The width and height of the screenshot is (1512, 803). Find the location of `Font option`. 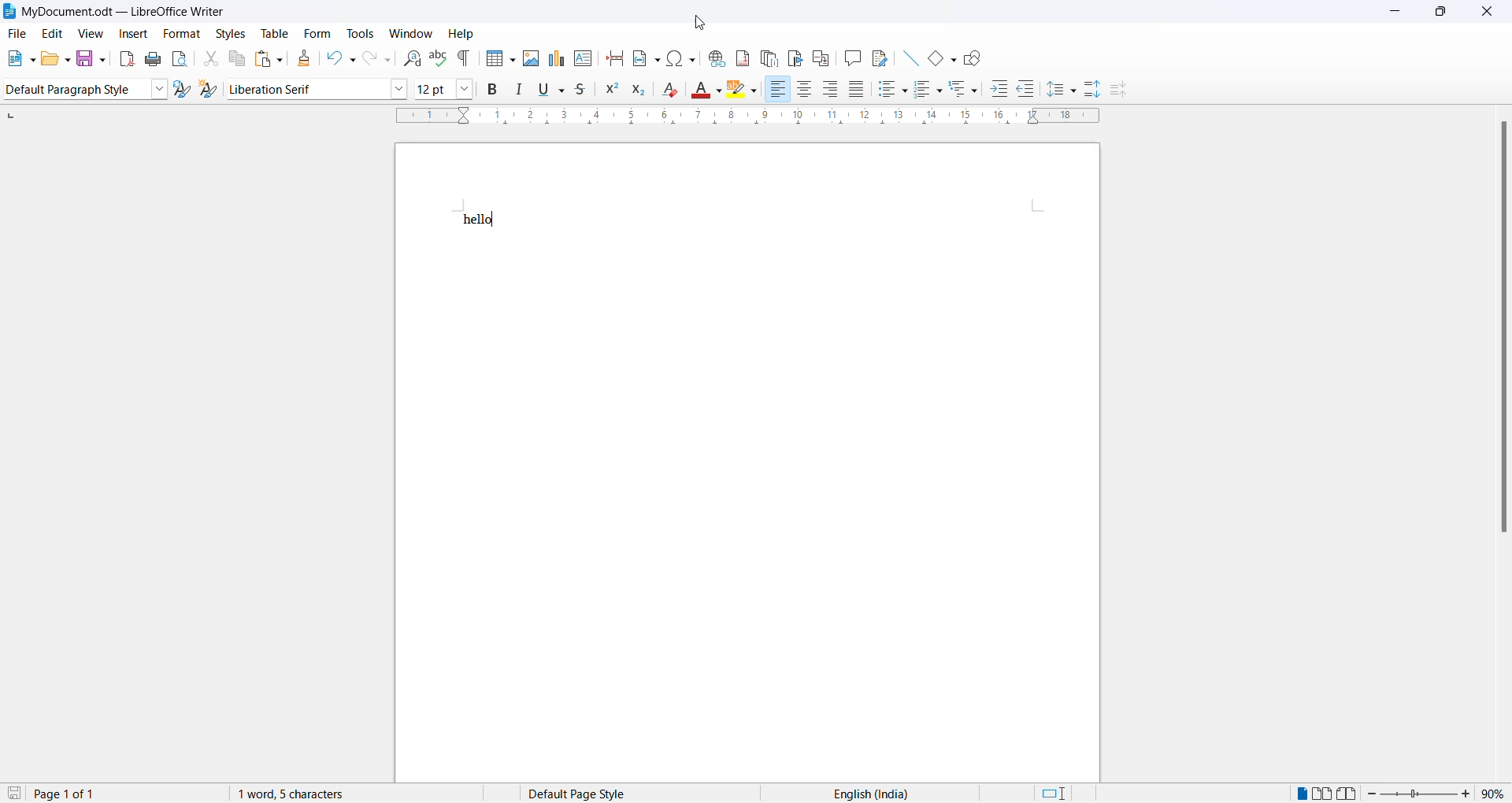

Font option is located at coordinates (399, 89).